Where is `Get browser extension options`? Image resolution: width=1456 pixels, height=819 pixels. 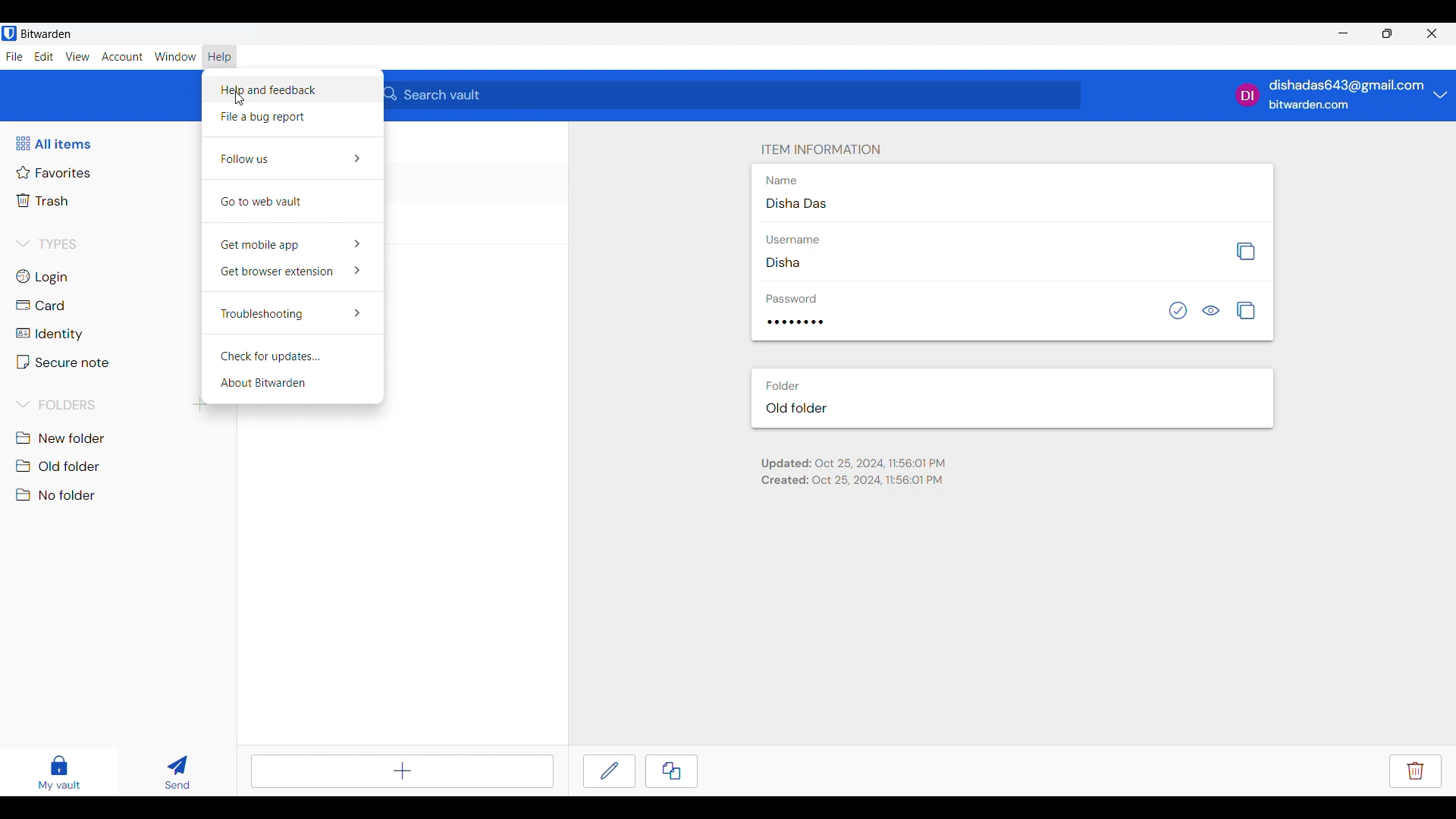 Get browser extension options is located at coordinates (292, 272).